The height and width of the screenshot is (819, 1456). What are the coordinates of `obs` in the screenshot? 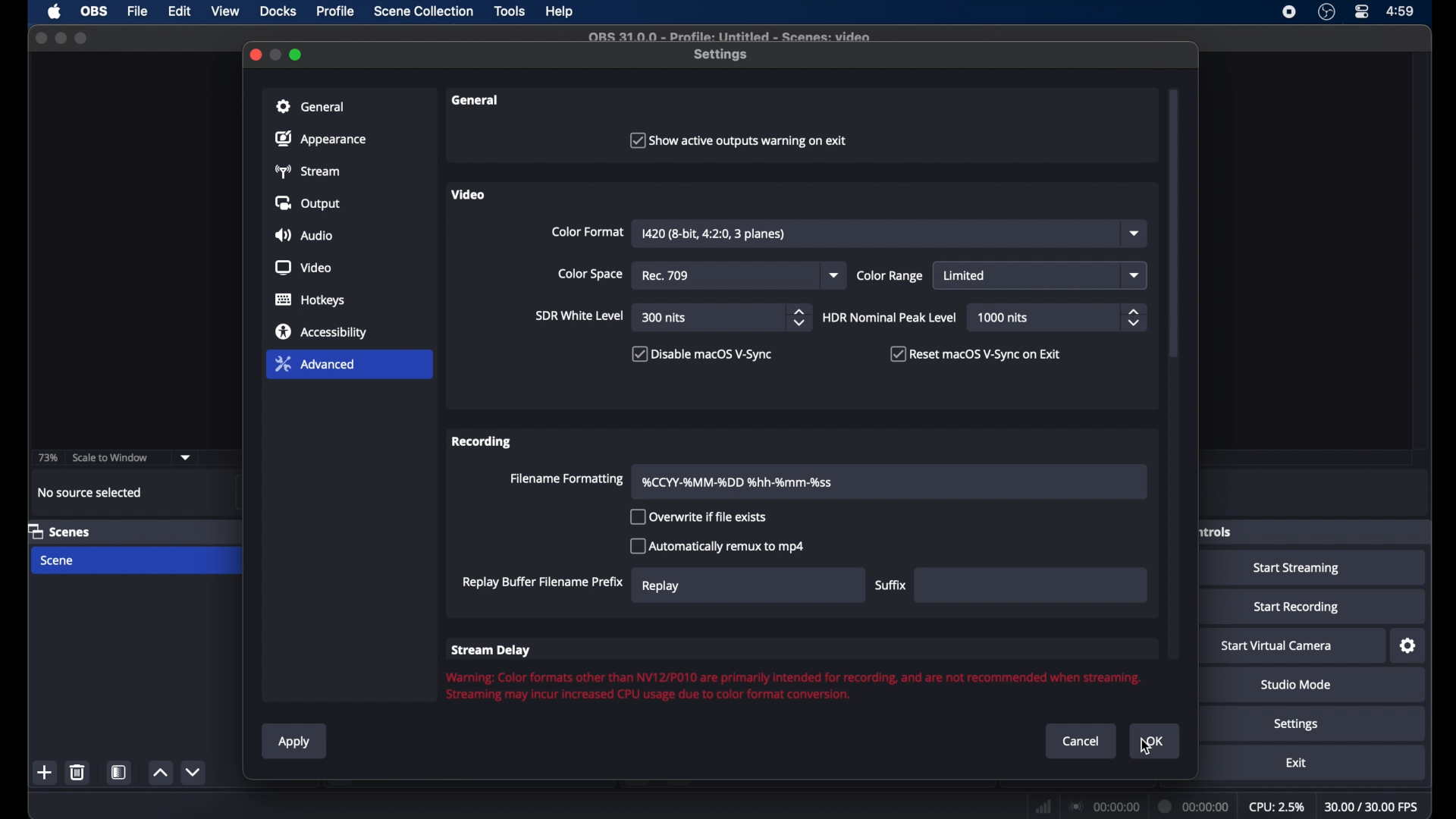 It's located at (93, 11).